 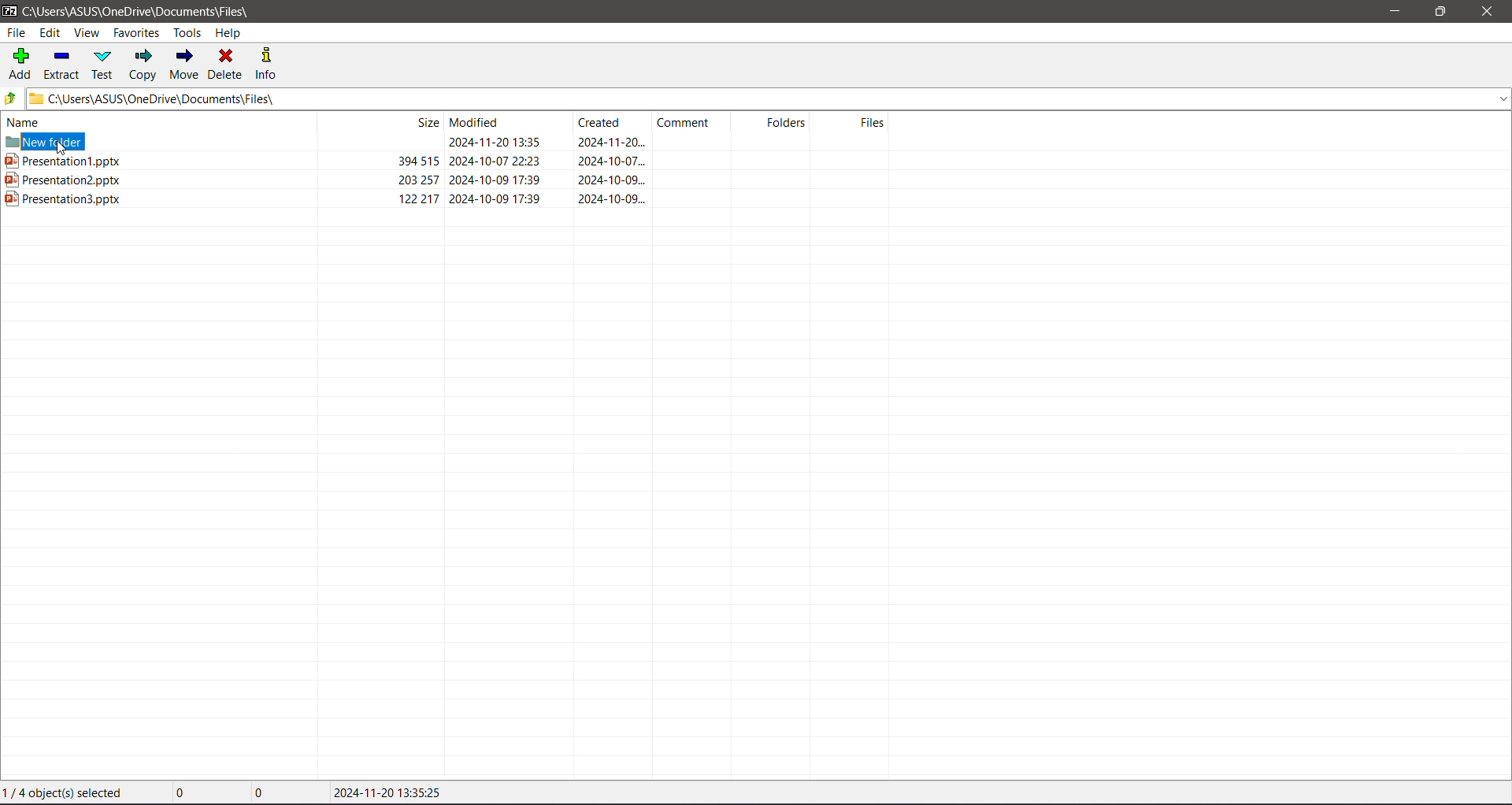 I want to click on Name, so click(x=150, y=122).